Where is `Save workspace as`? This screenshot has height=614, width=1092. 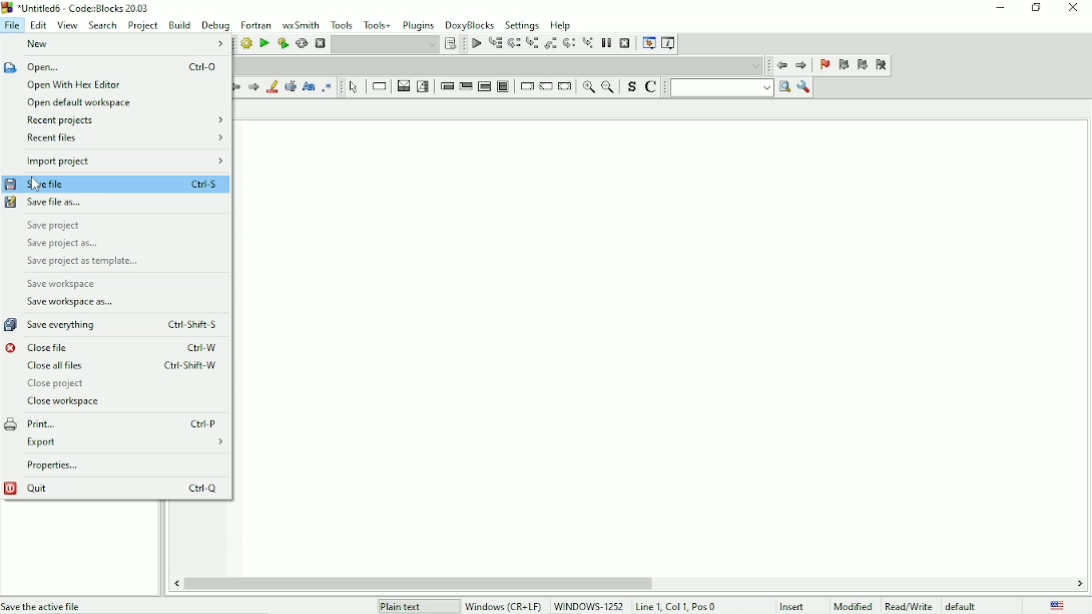 Save workspace as is located at coordinates (71, 302).